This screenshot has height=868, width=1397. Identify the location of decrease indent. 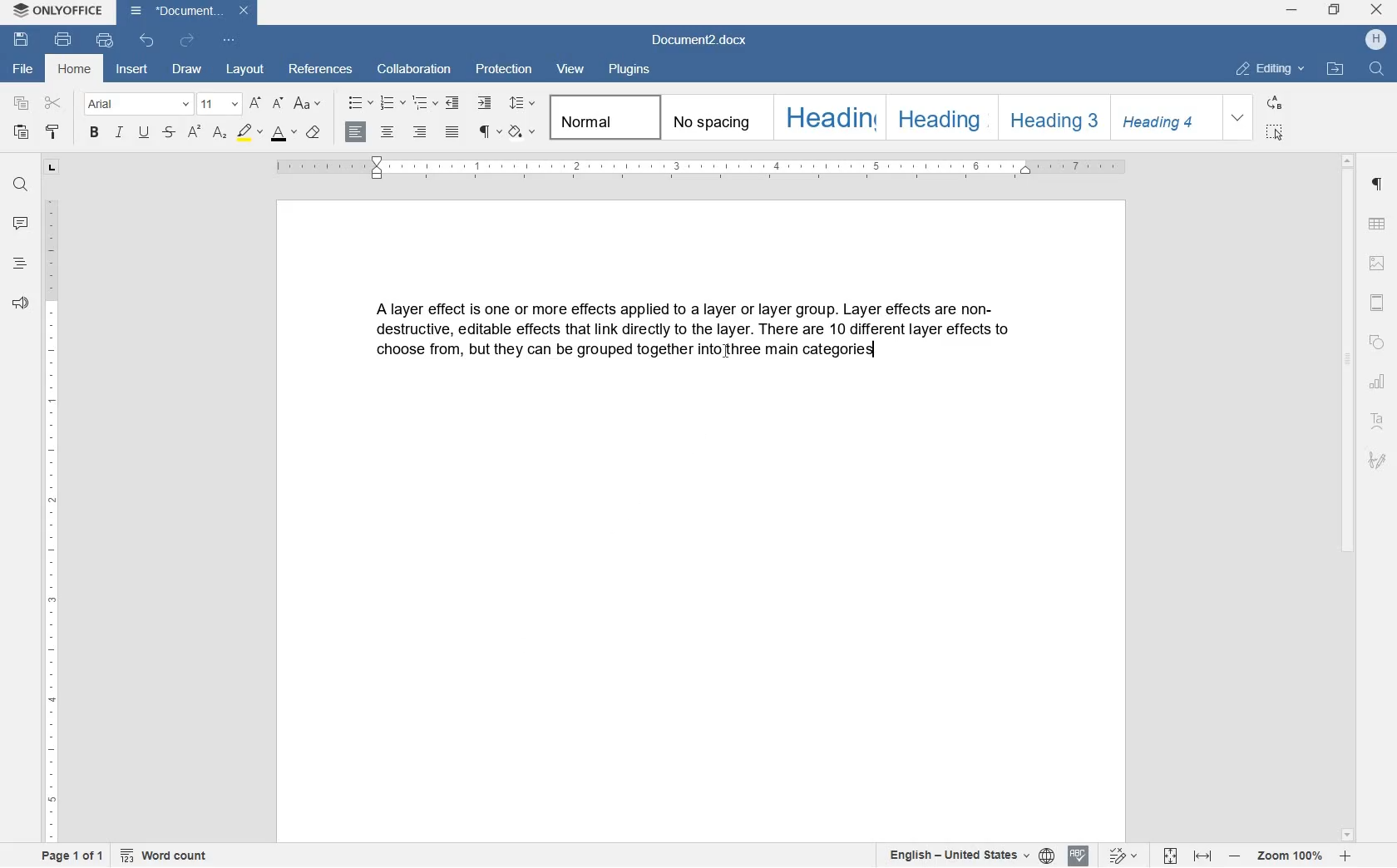
(454, 103).